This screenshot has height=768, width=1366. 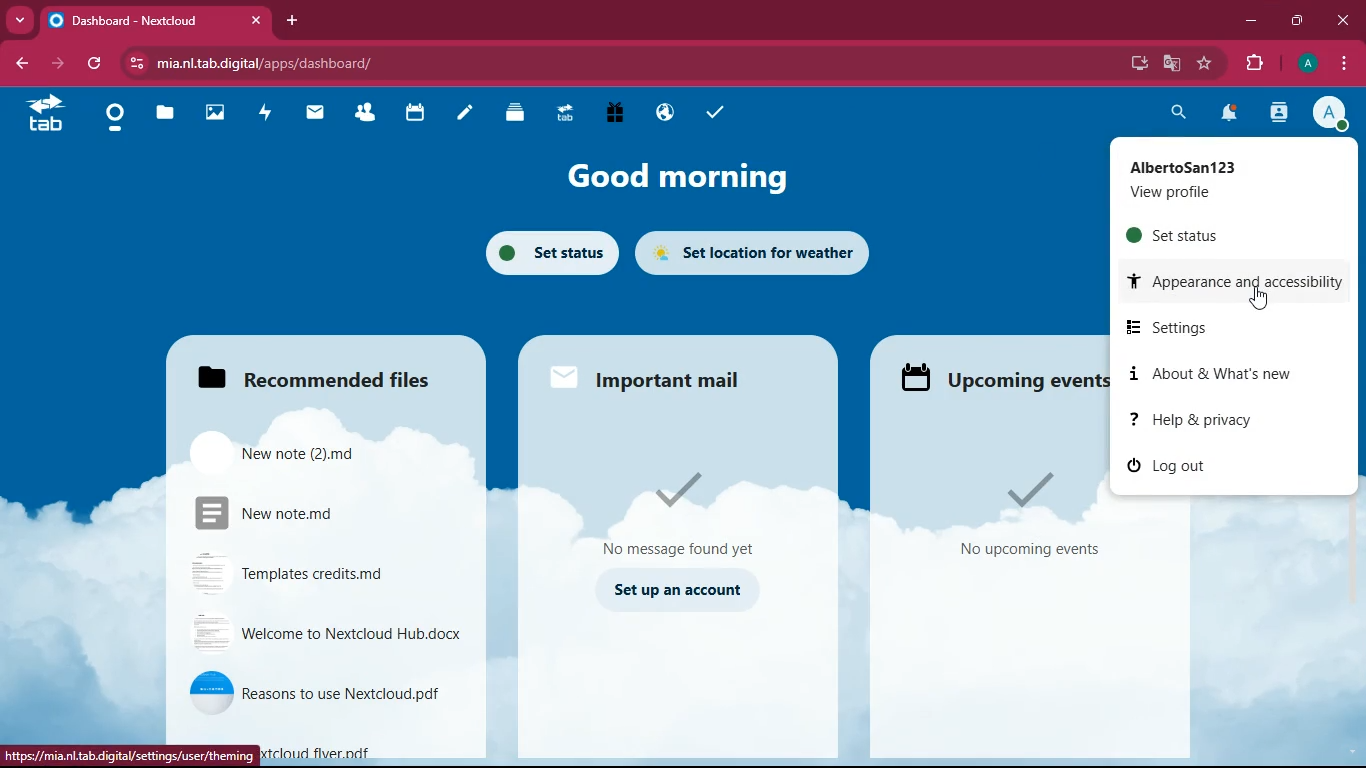 I want to click on mail, so click(x=316, y=115).